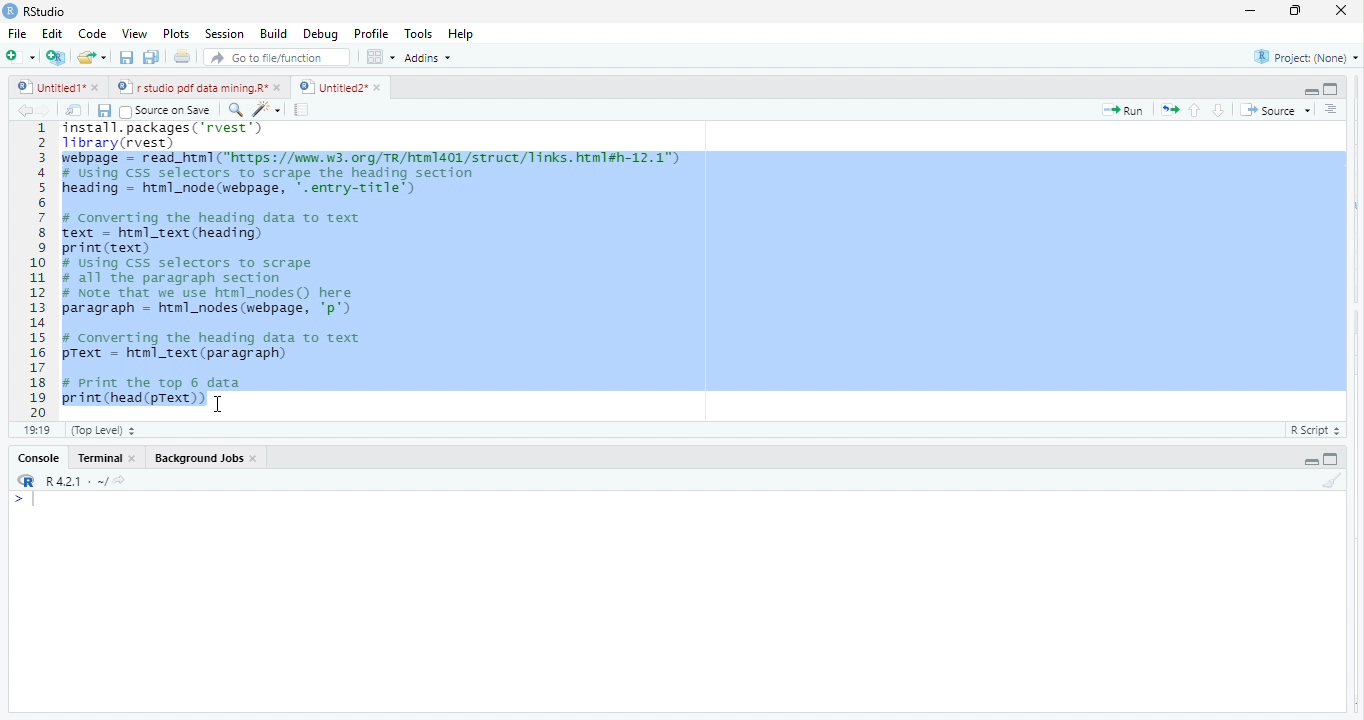 This screenshot has width=1364, height=720. I want to click on go to previous section/chunk, so click(1196, 111).